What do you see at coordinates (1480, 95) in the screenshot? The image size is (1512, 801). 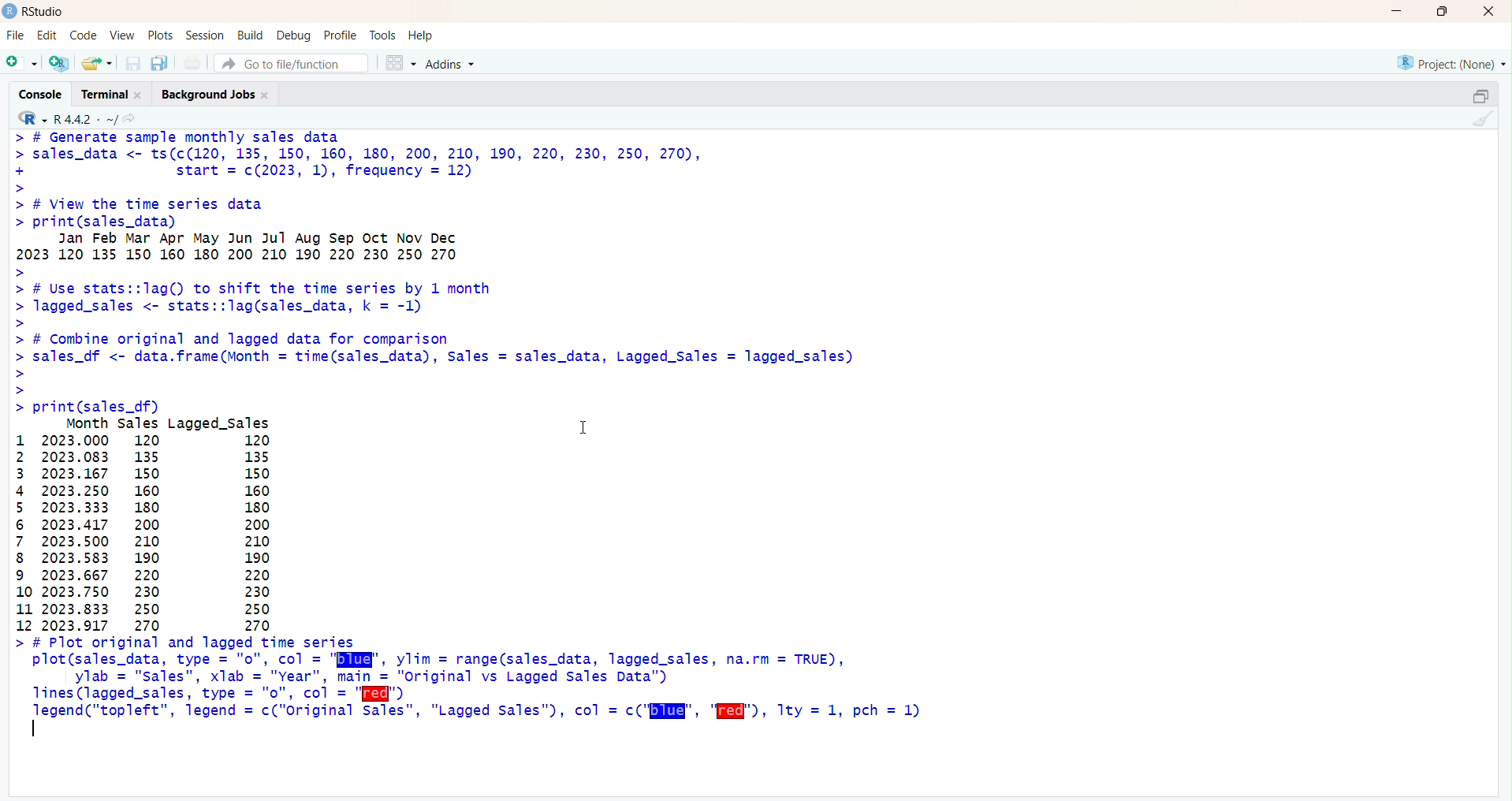 I see `collapse` at bounding box center [1480, 95].